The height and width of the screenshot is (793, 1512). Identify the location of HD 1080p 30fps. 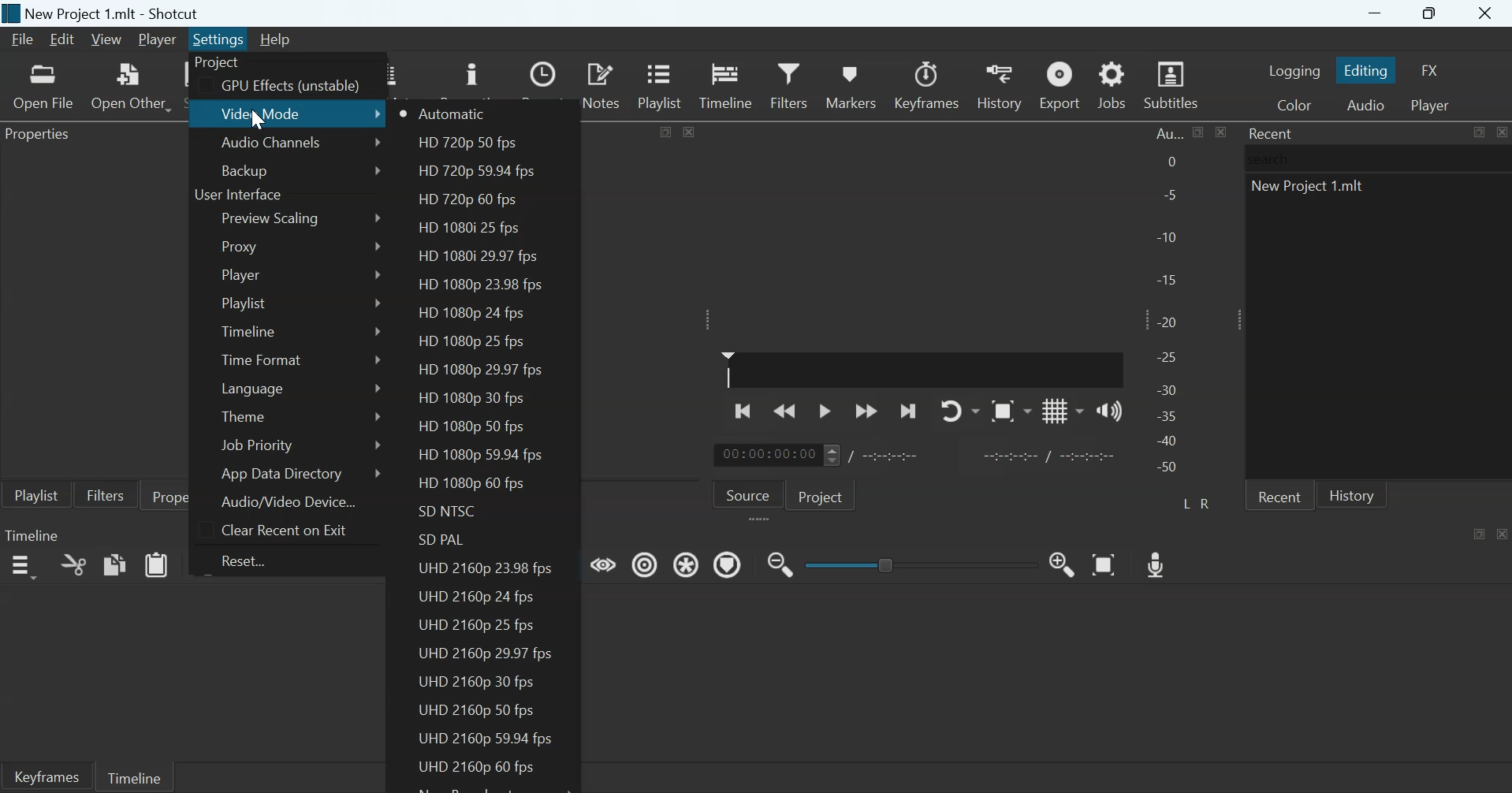
(471, 398).